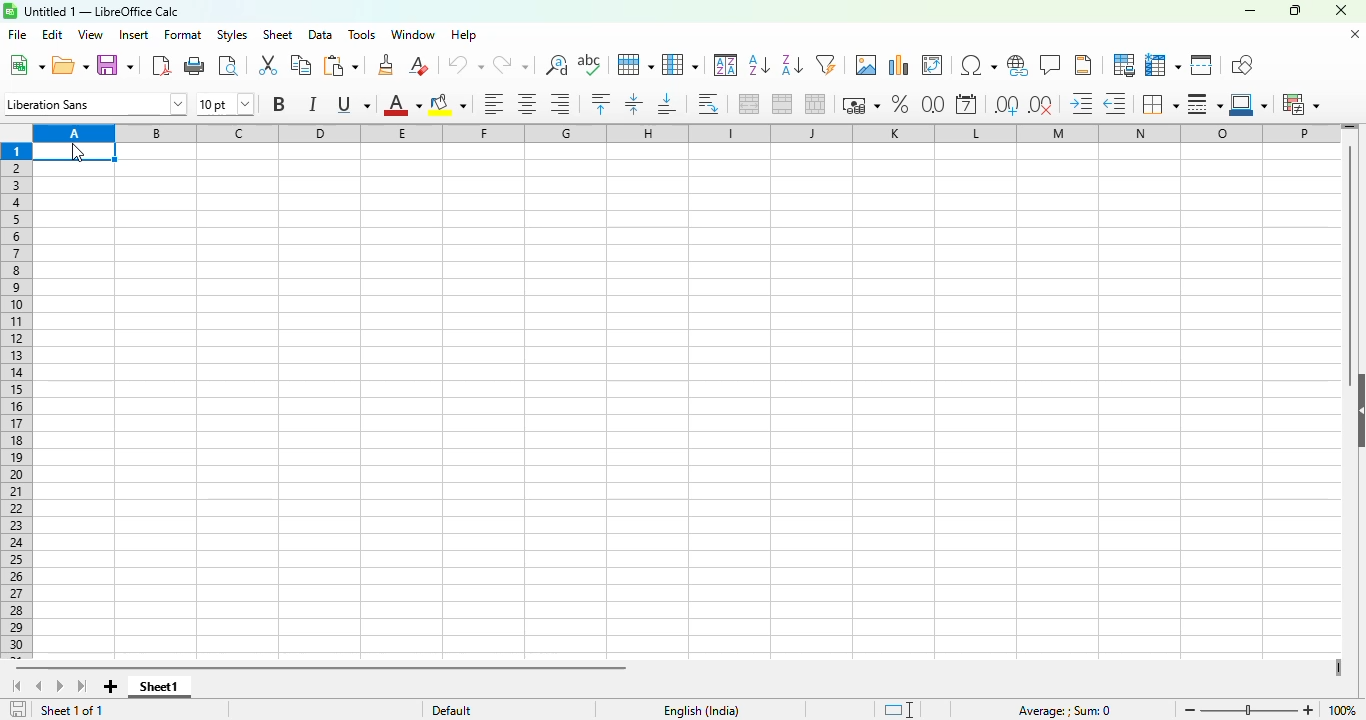  Describe the element at coordinates (96, 104) in the screenshot. I see `font name` at that location.